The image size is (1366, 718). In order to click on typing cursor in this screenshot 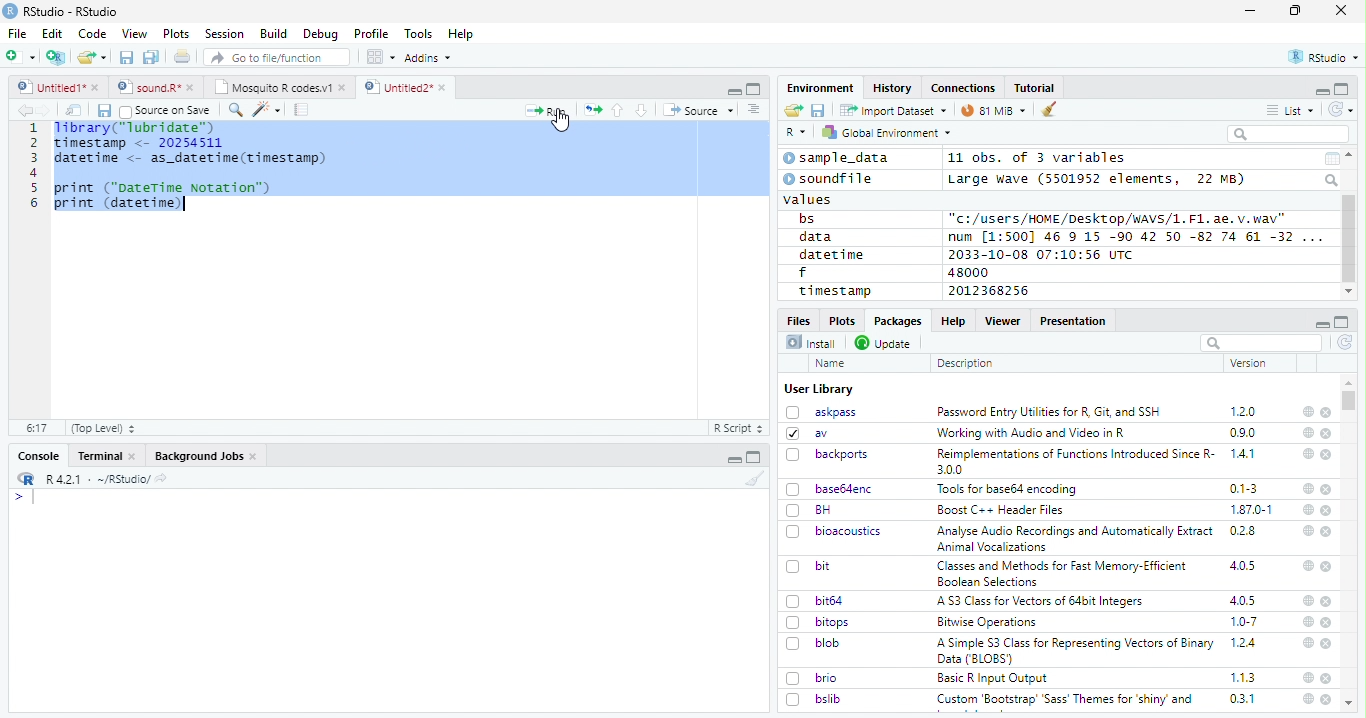, I will do `click(24, 497)`.